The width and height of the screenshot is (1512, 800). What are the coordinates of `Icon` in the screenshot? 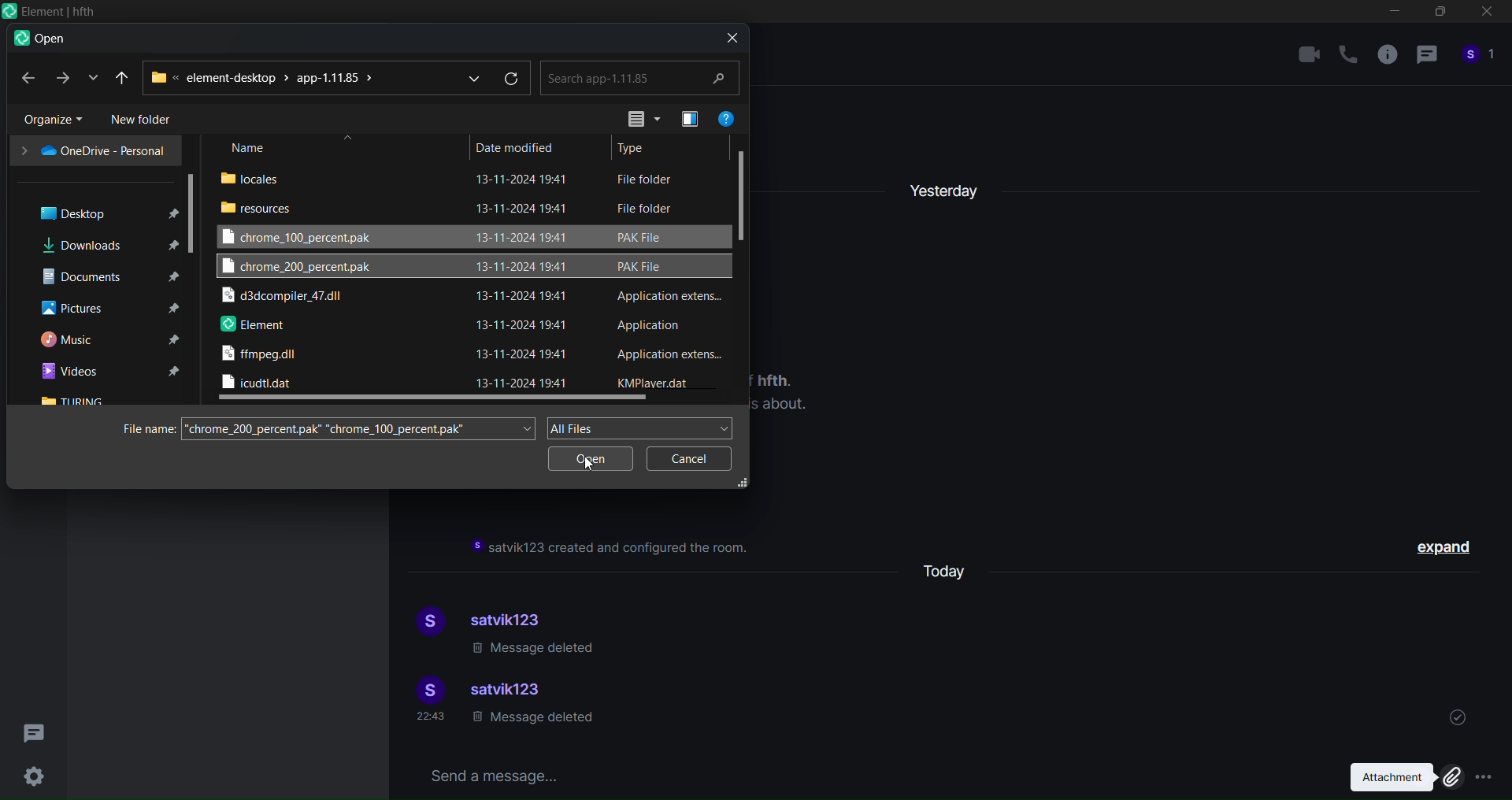 It's located at (49, 12).